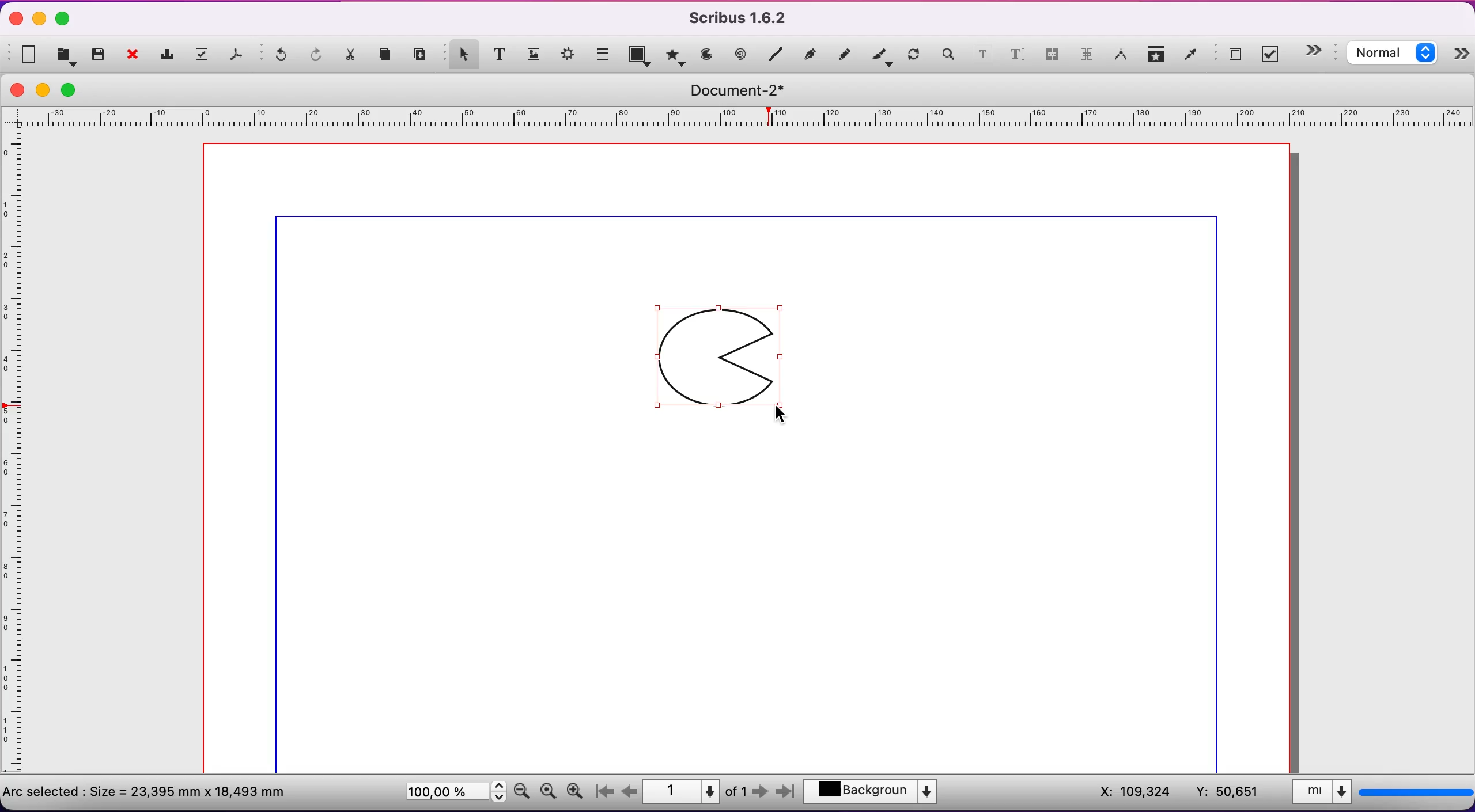  What do you see at coordinates (500, 54) in the screenshot?
I see `text frame` at bounding box center [500, 54].